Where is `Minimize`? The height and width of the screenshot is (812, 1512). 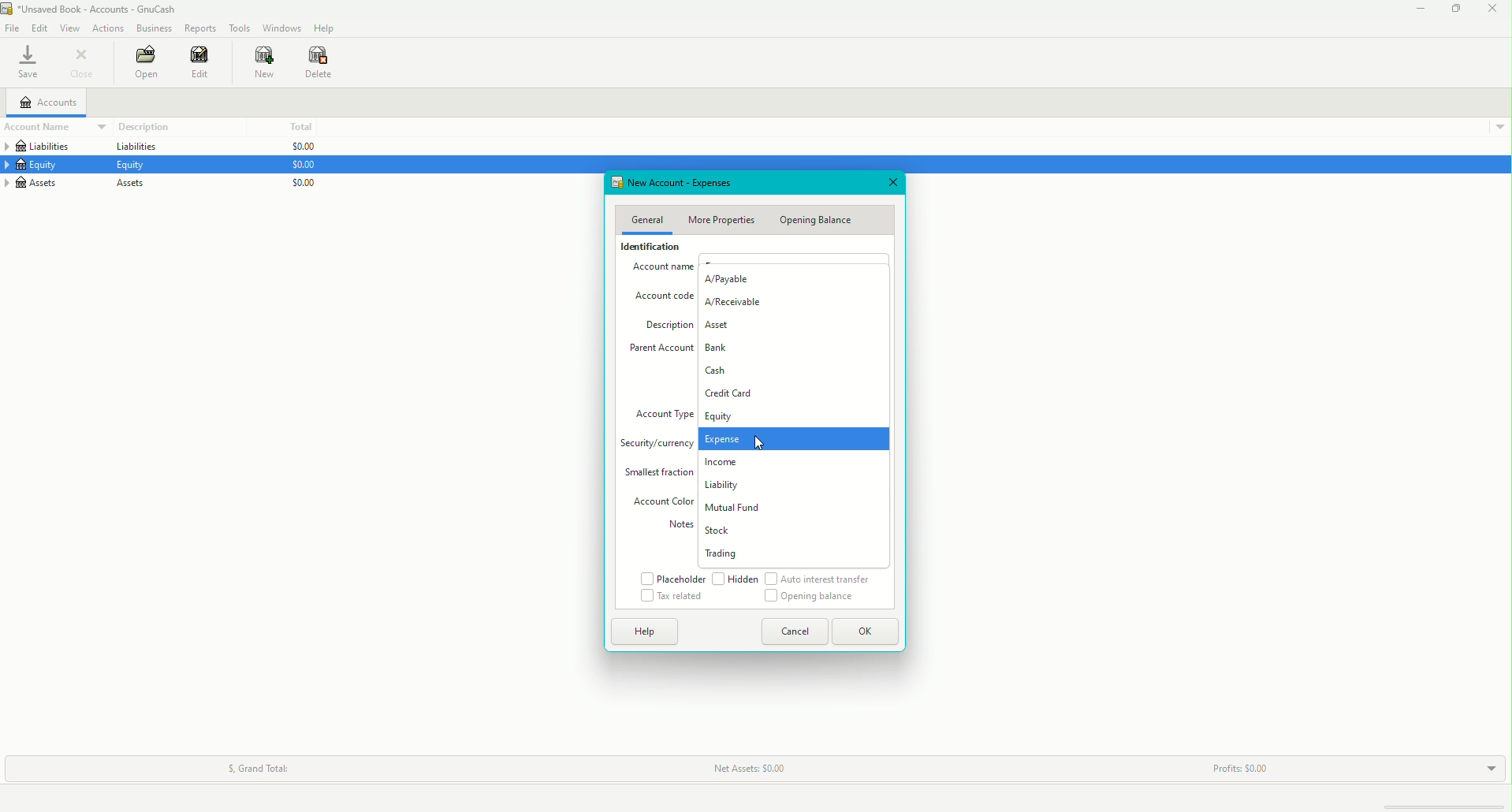 Minimize is located at coordinates (1417, 9).